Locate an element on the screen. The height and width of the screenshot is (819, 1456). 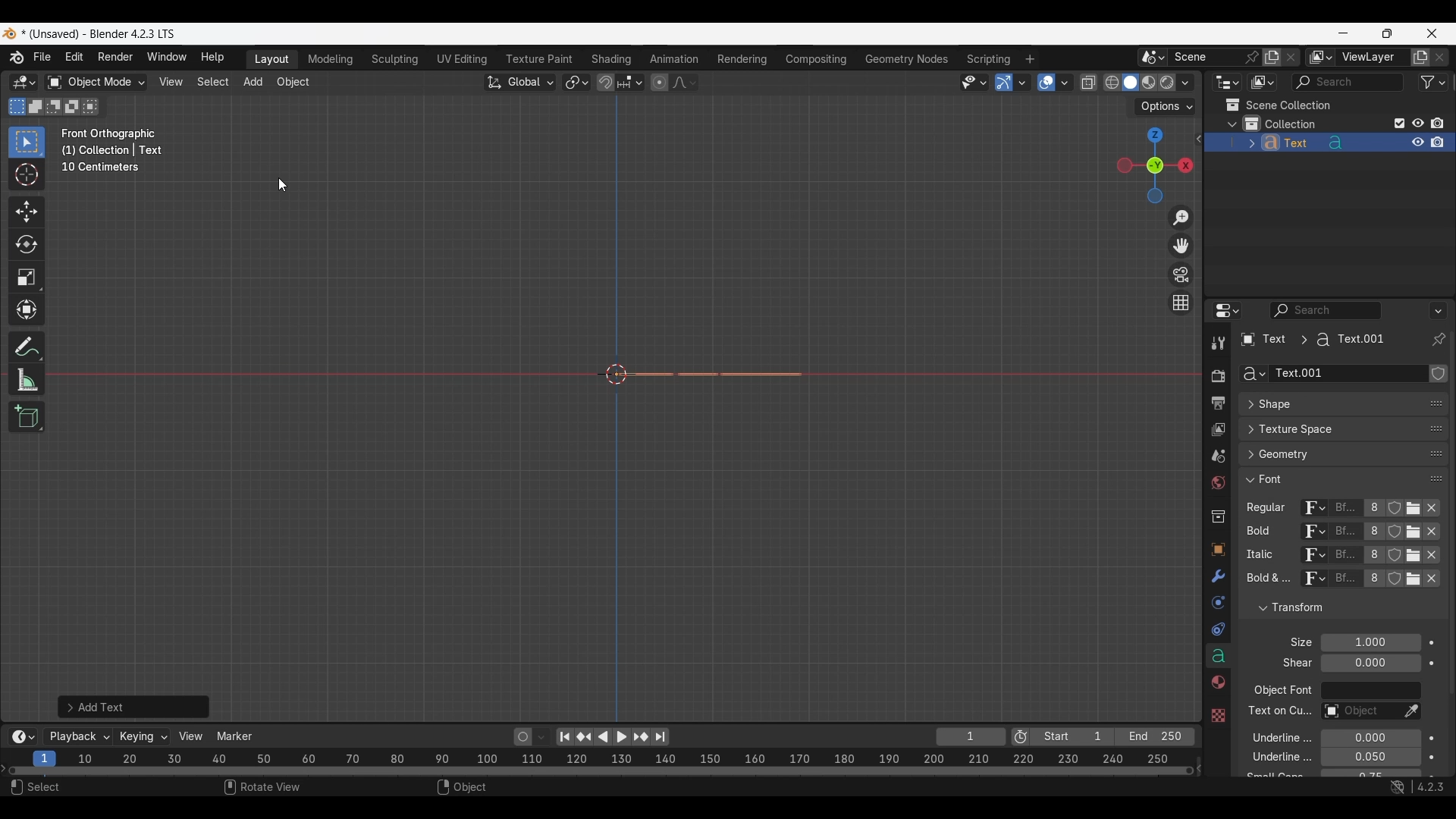
Display filter is located at coordinates (1326, 310).